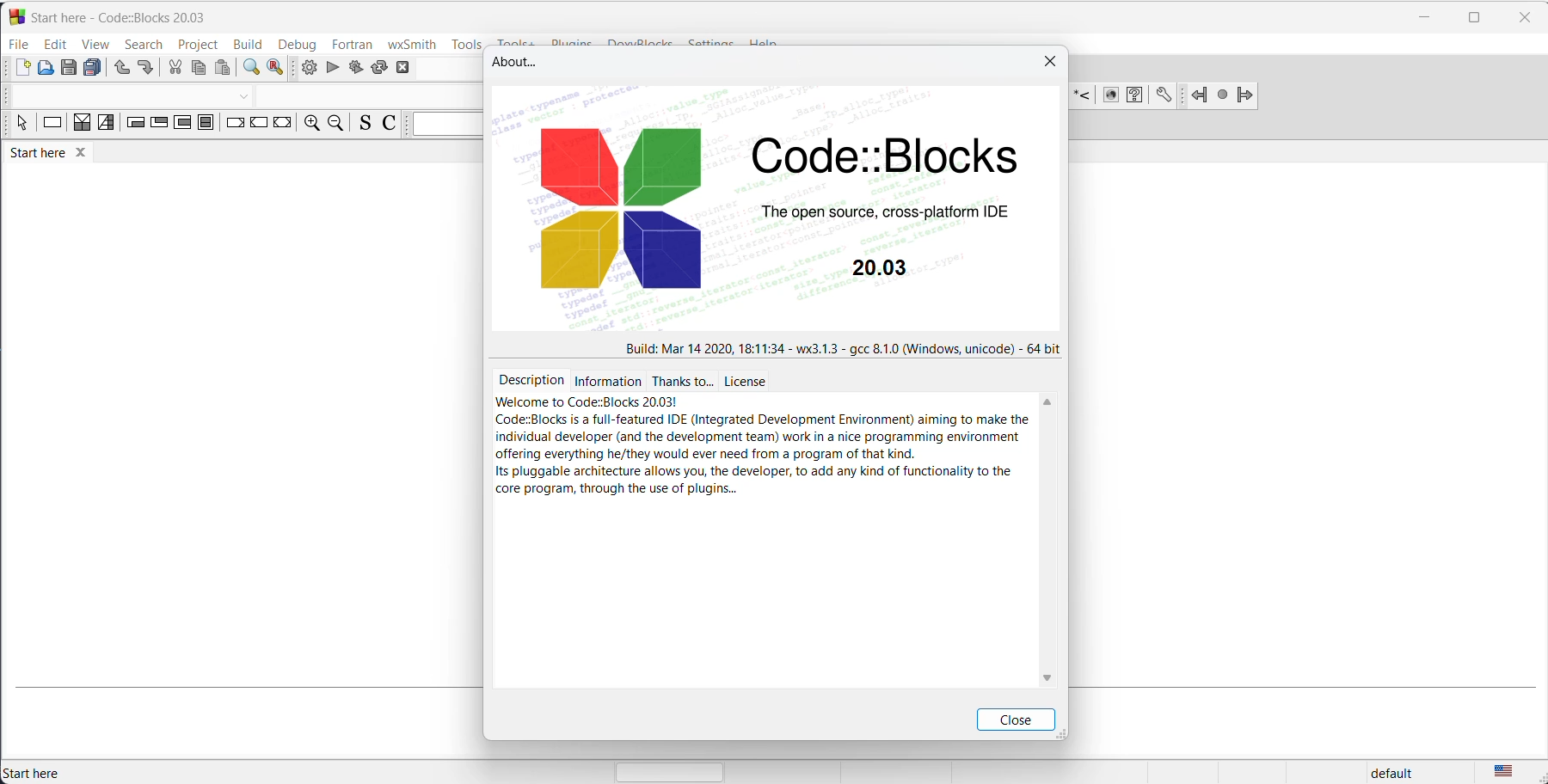 The image size is (1548, 784). I want to click on start here, so click(53, 154).